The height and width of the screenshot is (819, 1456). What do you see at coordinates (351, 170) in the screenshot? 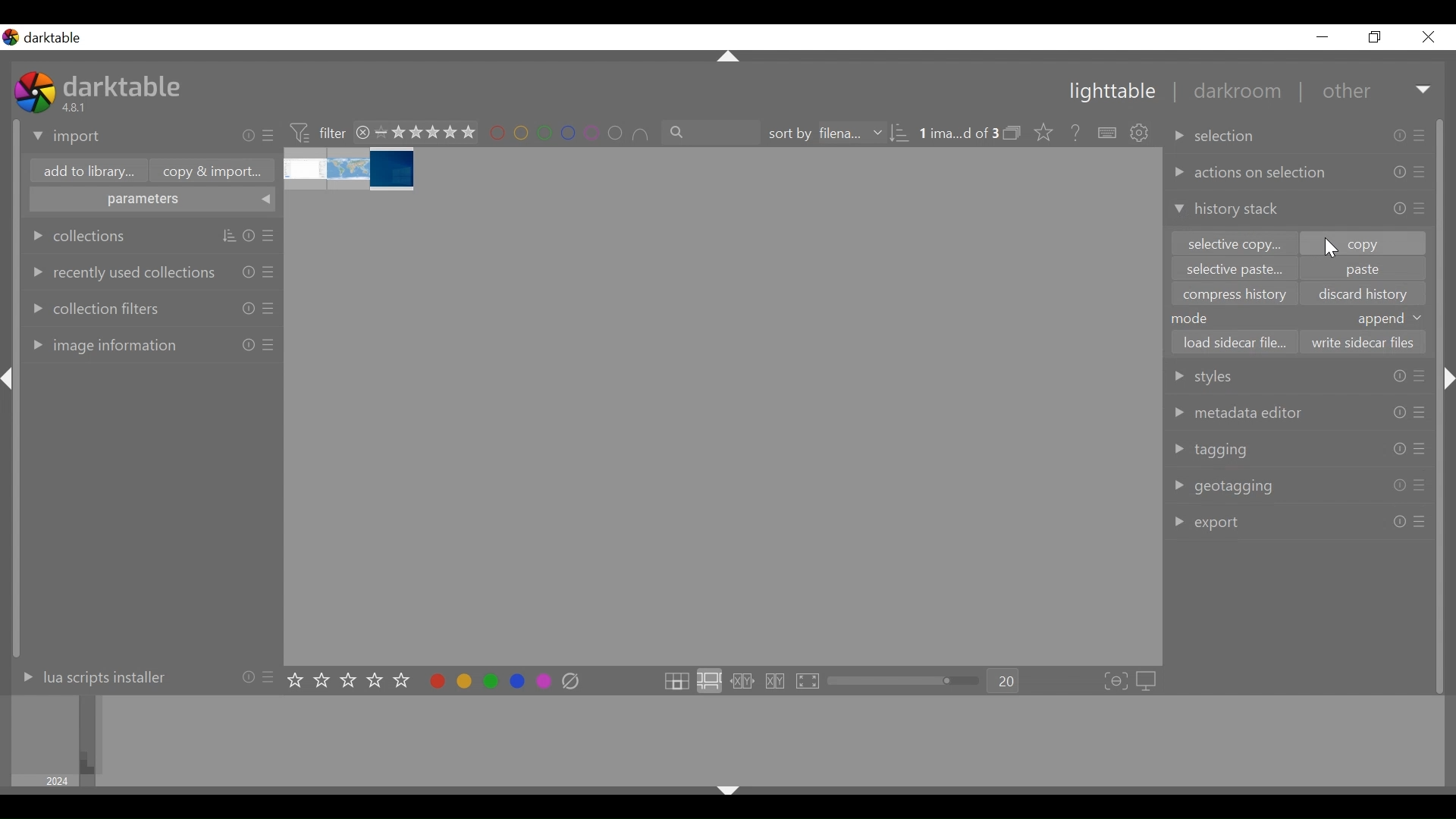
I see `image stack` at bounding box center [351, 170].